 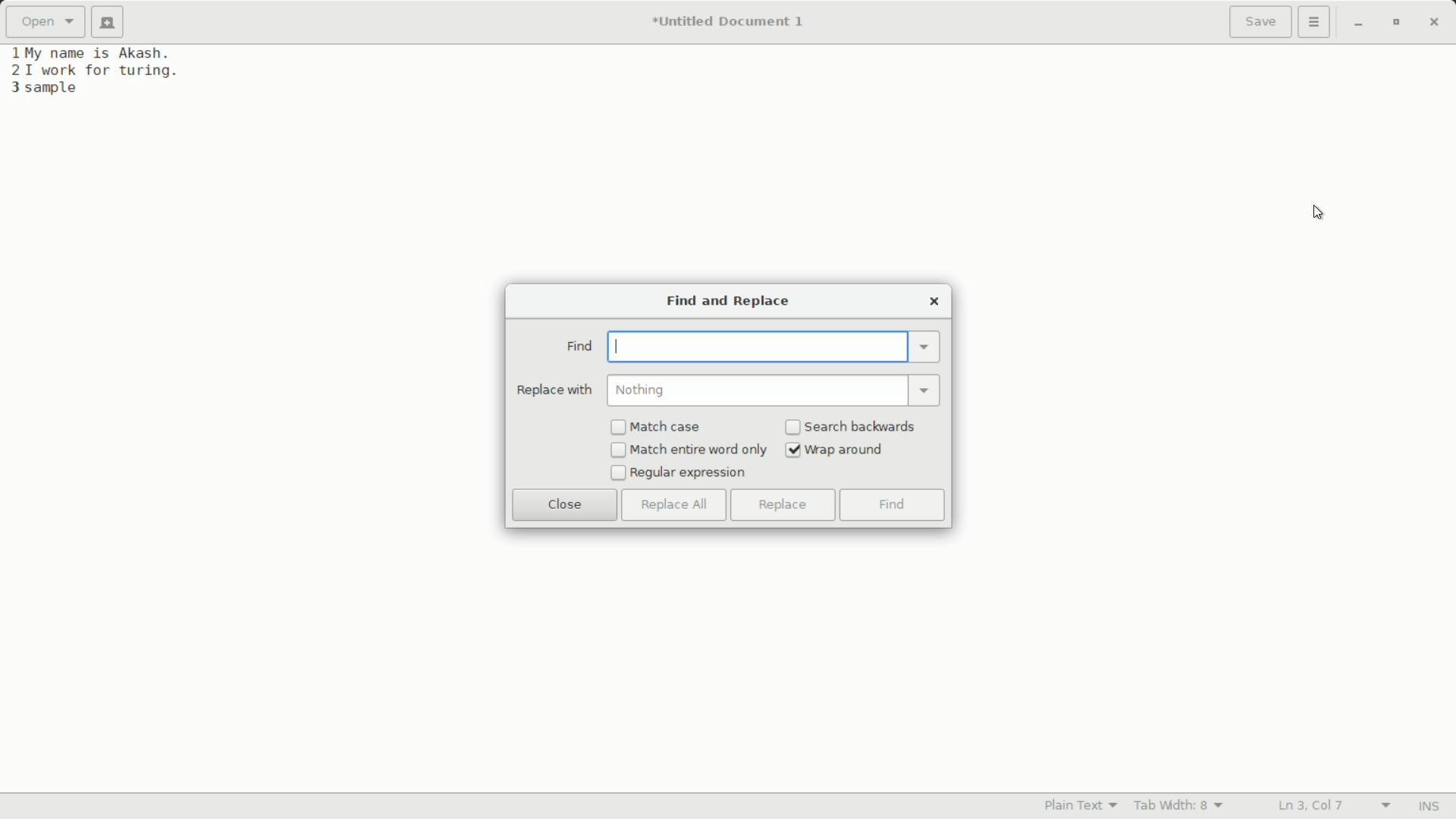 What do you see at coordinates (44, 89) in the screenshot?
I see `3 sample` at bounding box center [44, 89].